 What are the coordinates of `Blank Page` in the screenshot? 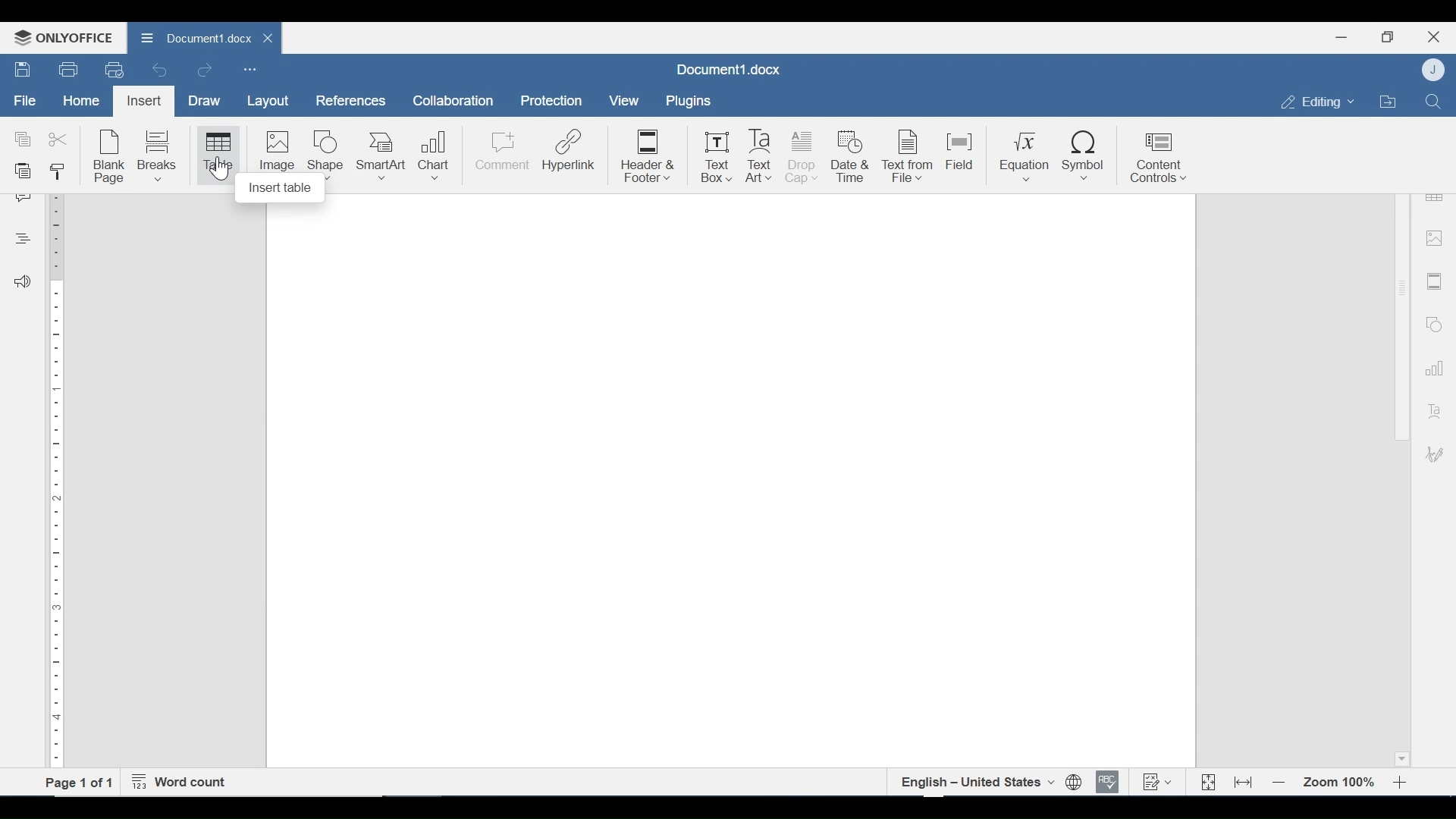 It's located at (111, 158).